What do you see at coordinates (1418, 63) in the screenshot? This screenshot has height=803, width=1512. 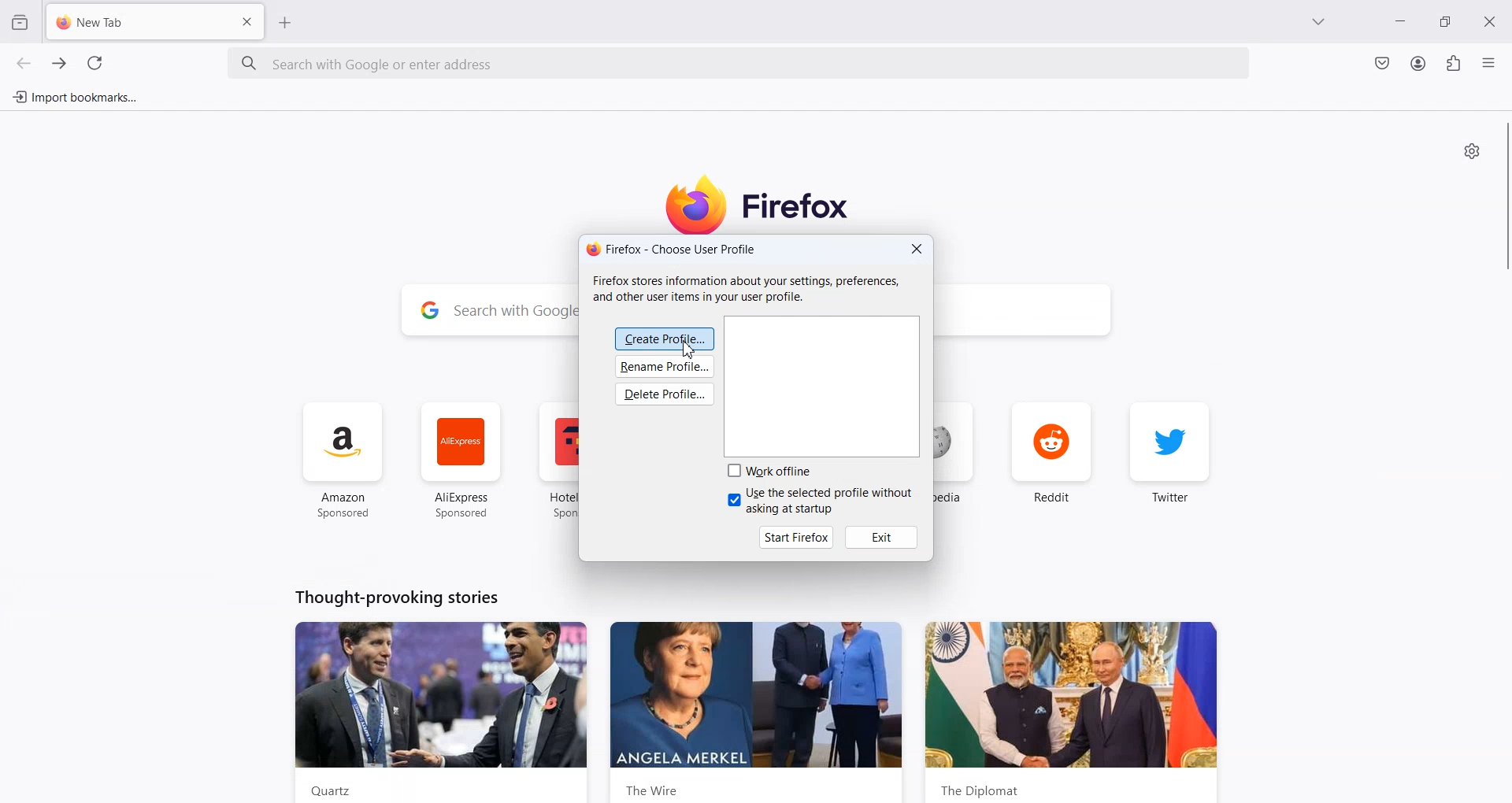 I see `Account` at bounding box center [1418, 63].